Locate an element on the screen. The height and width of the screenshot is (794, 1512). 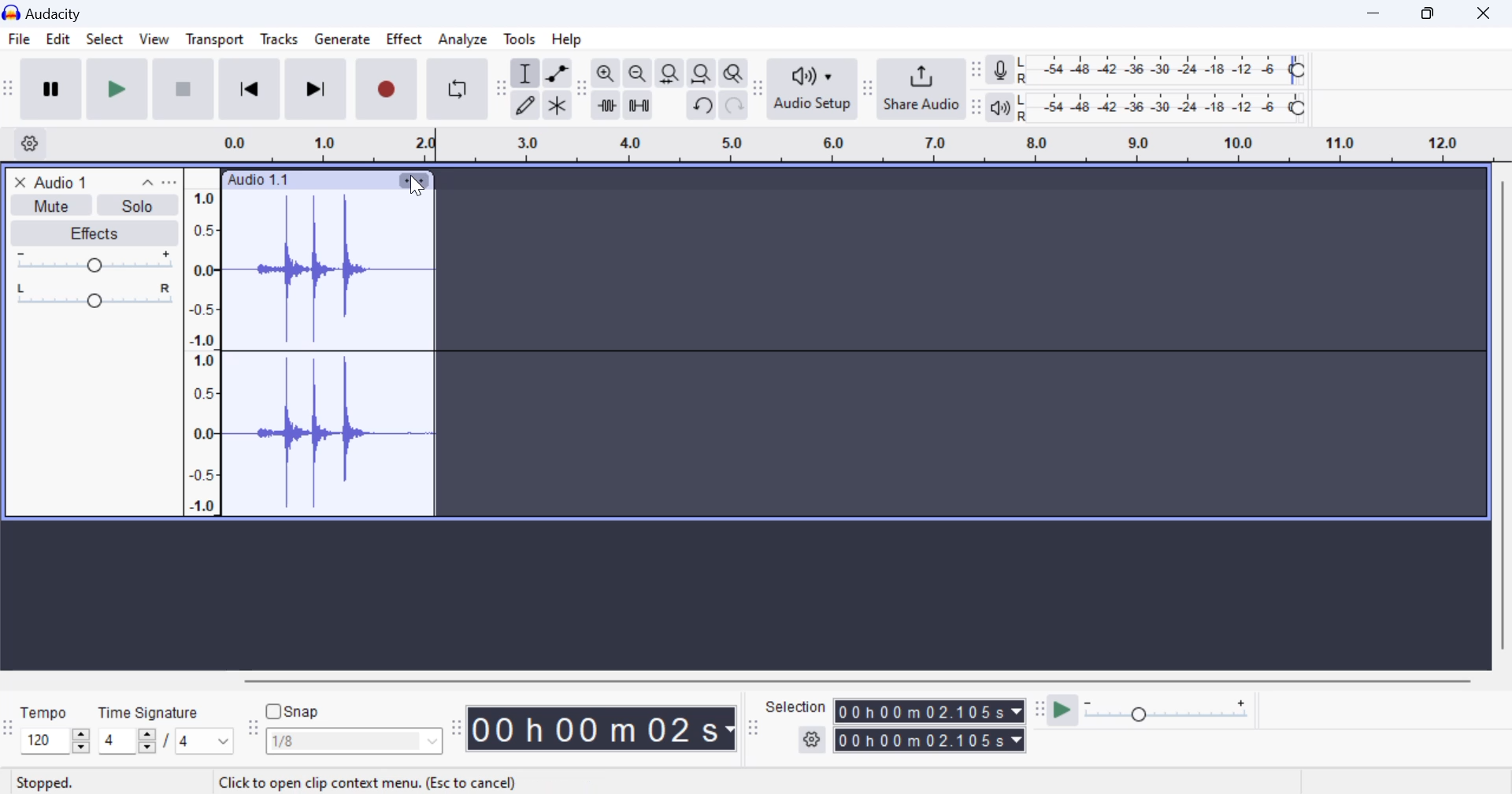
Skip To End is located at coordinates (313, 92).